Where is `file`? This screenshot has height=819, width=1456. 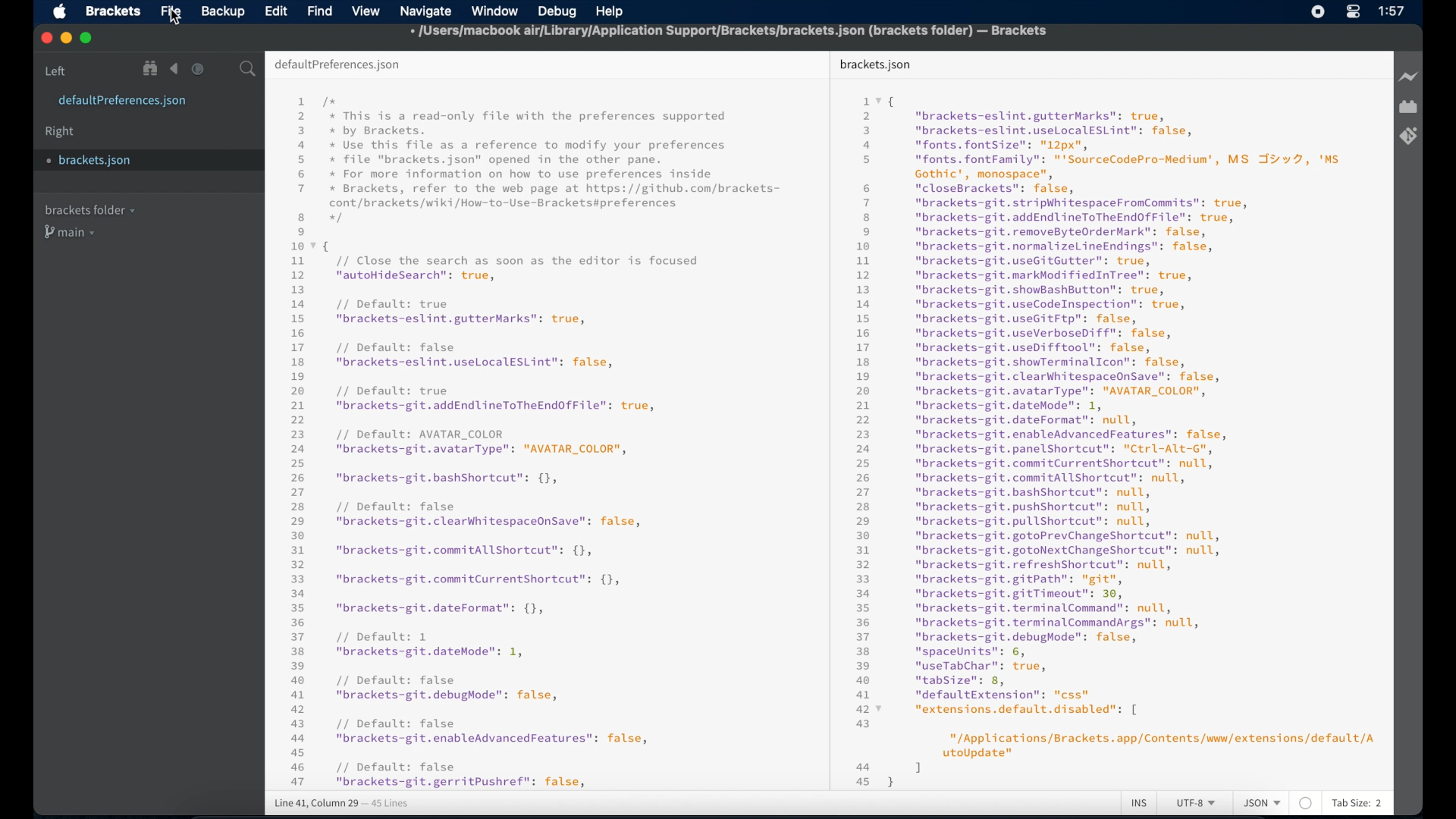
file is located at coordinates (171, 11).